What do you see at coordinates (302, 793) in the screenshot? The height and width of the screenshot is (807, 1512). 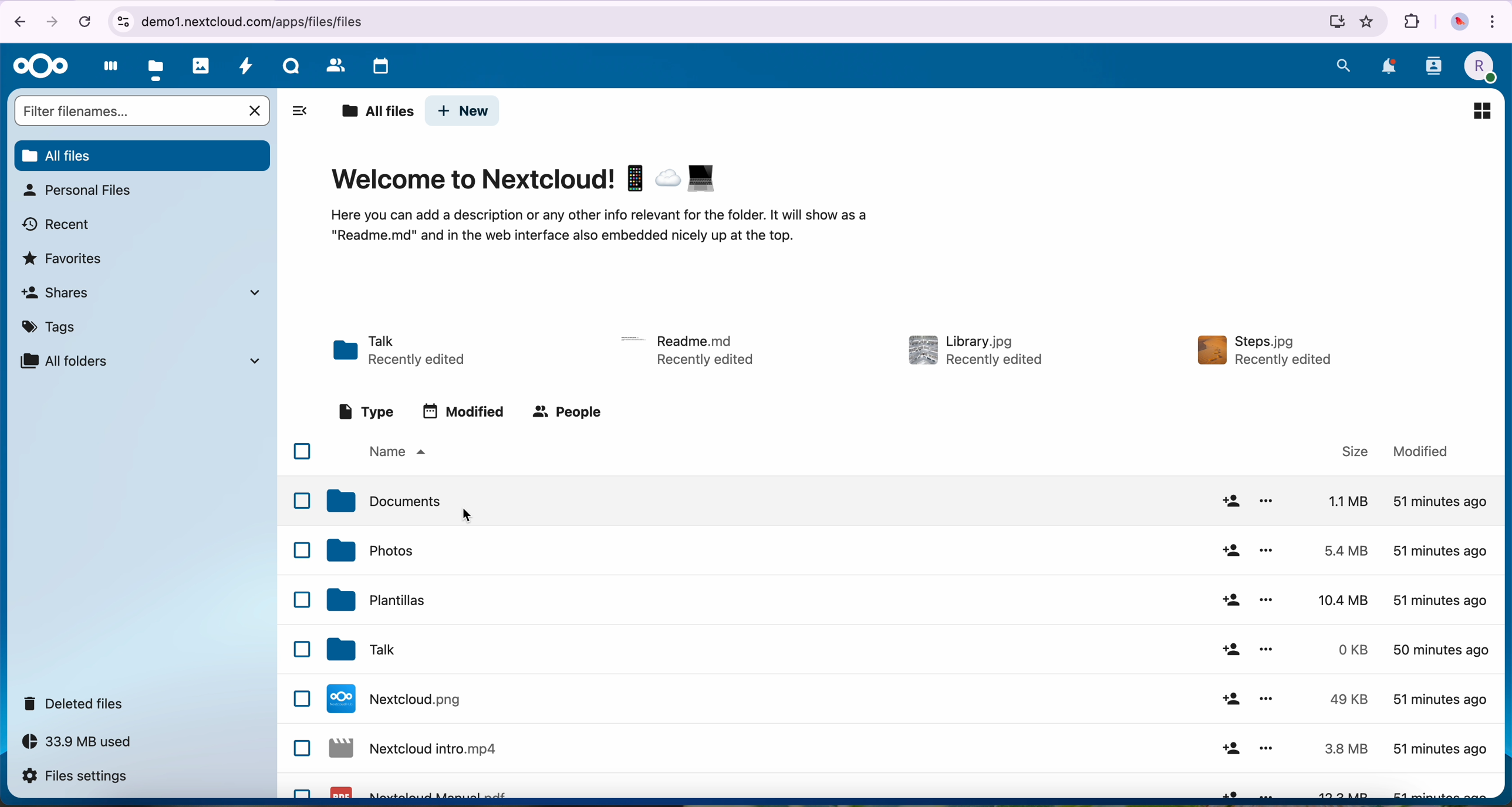 I see `checkbox` at bounding box center [302, 793].